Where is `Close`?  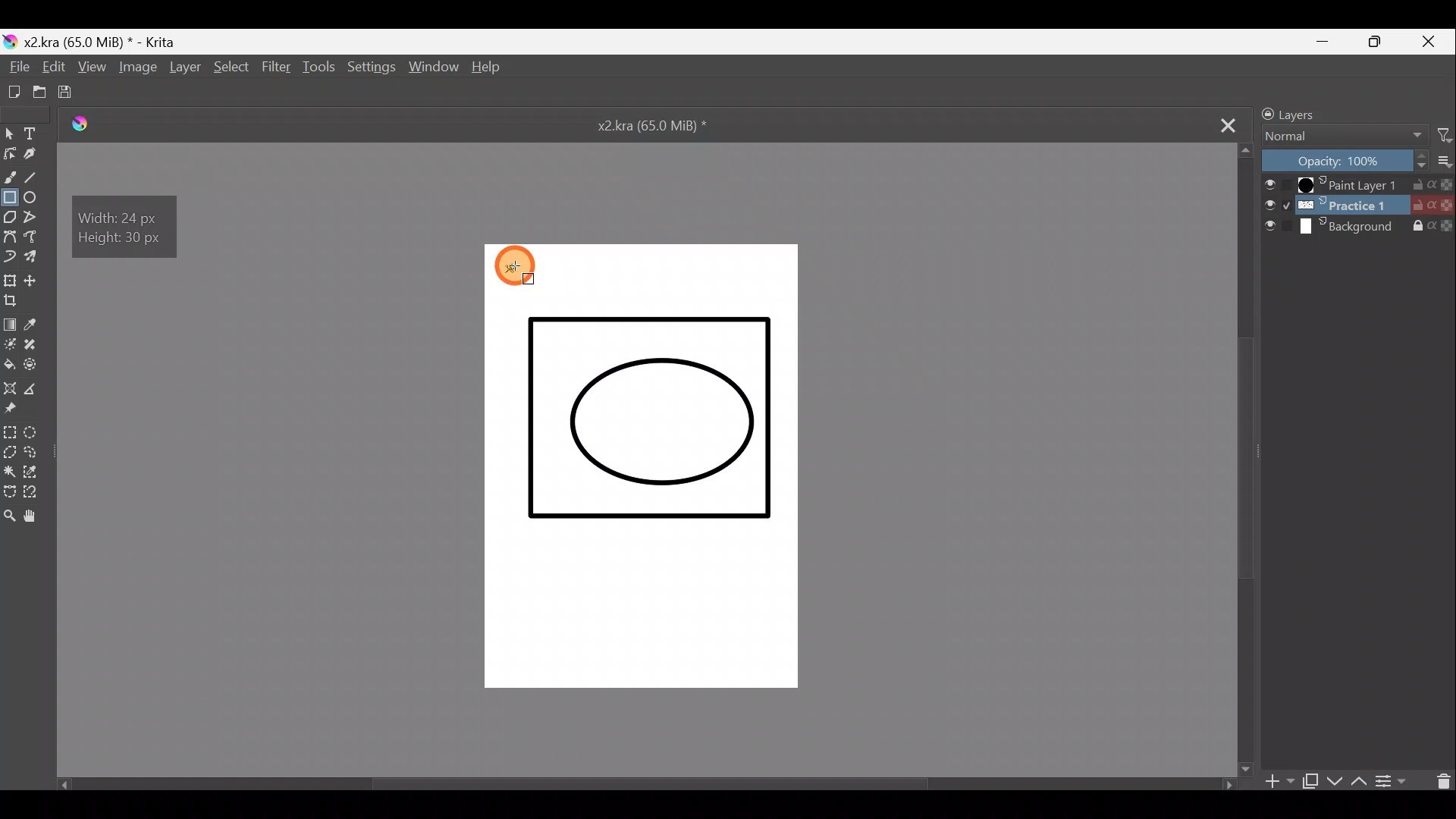 Close is located at coordinates (1434, 40).